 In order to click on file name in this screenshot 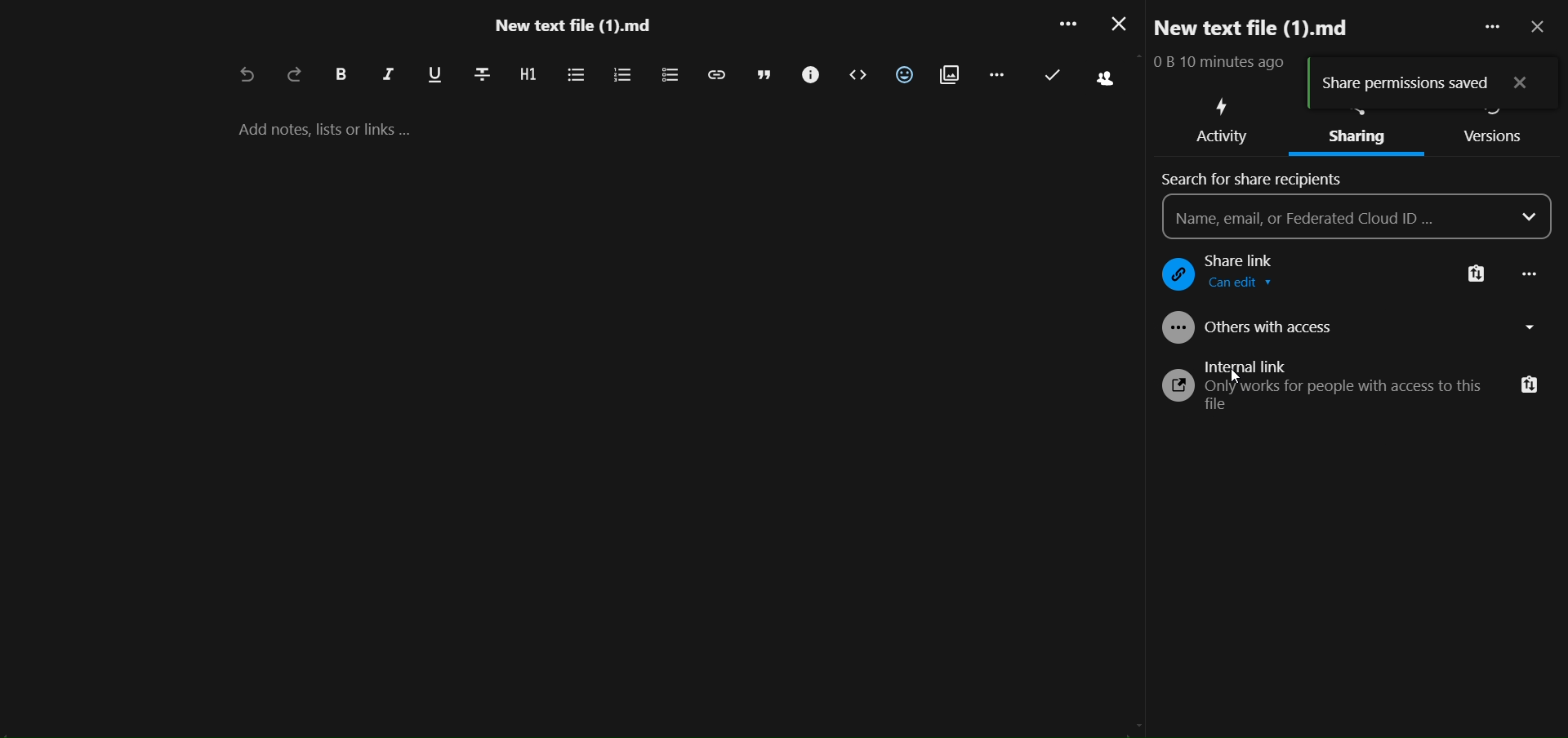, I will do `click(572, 29)`.